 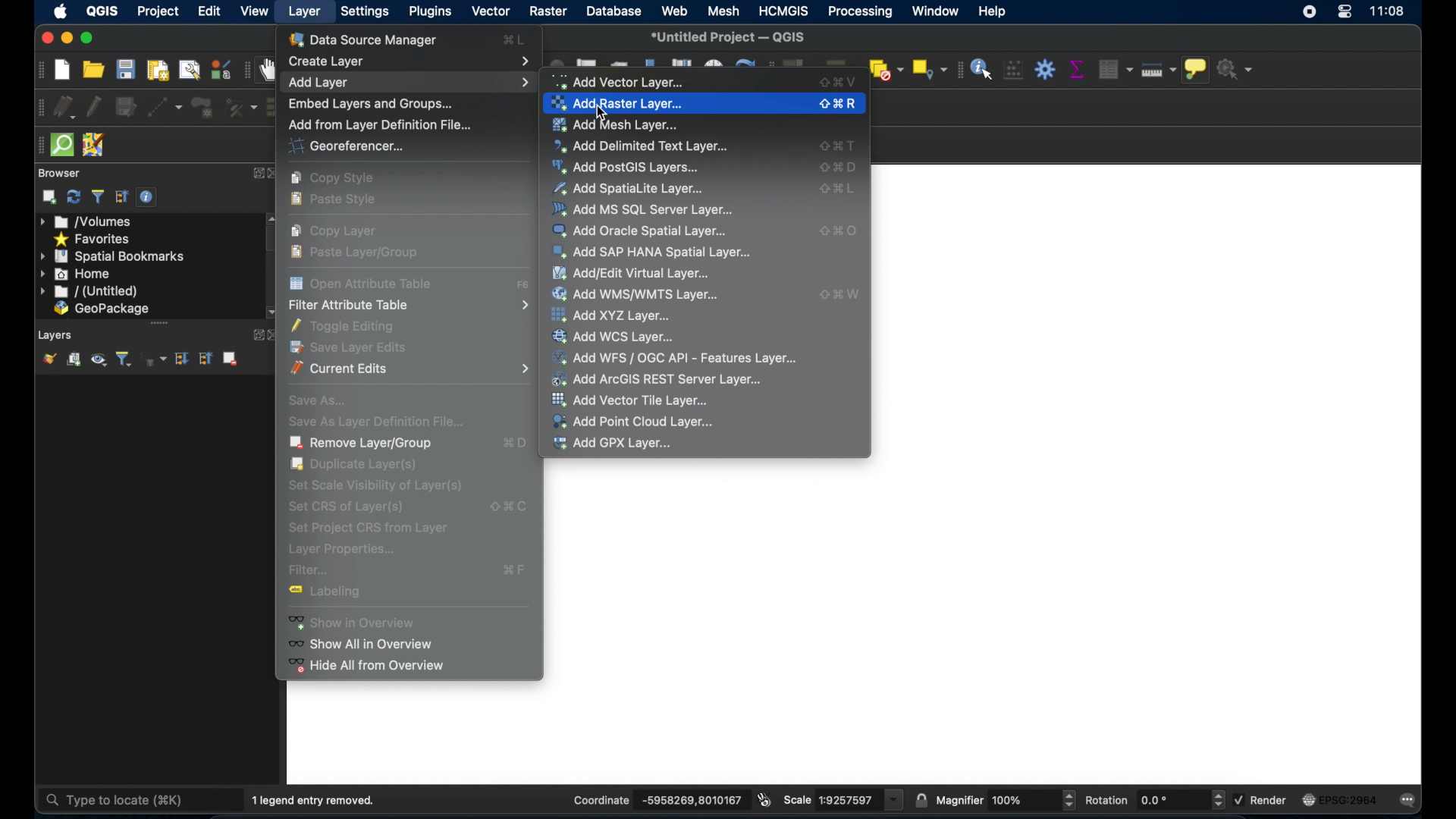 I want to click on Increase or decrease, so click(x=1068, y=800).